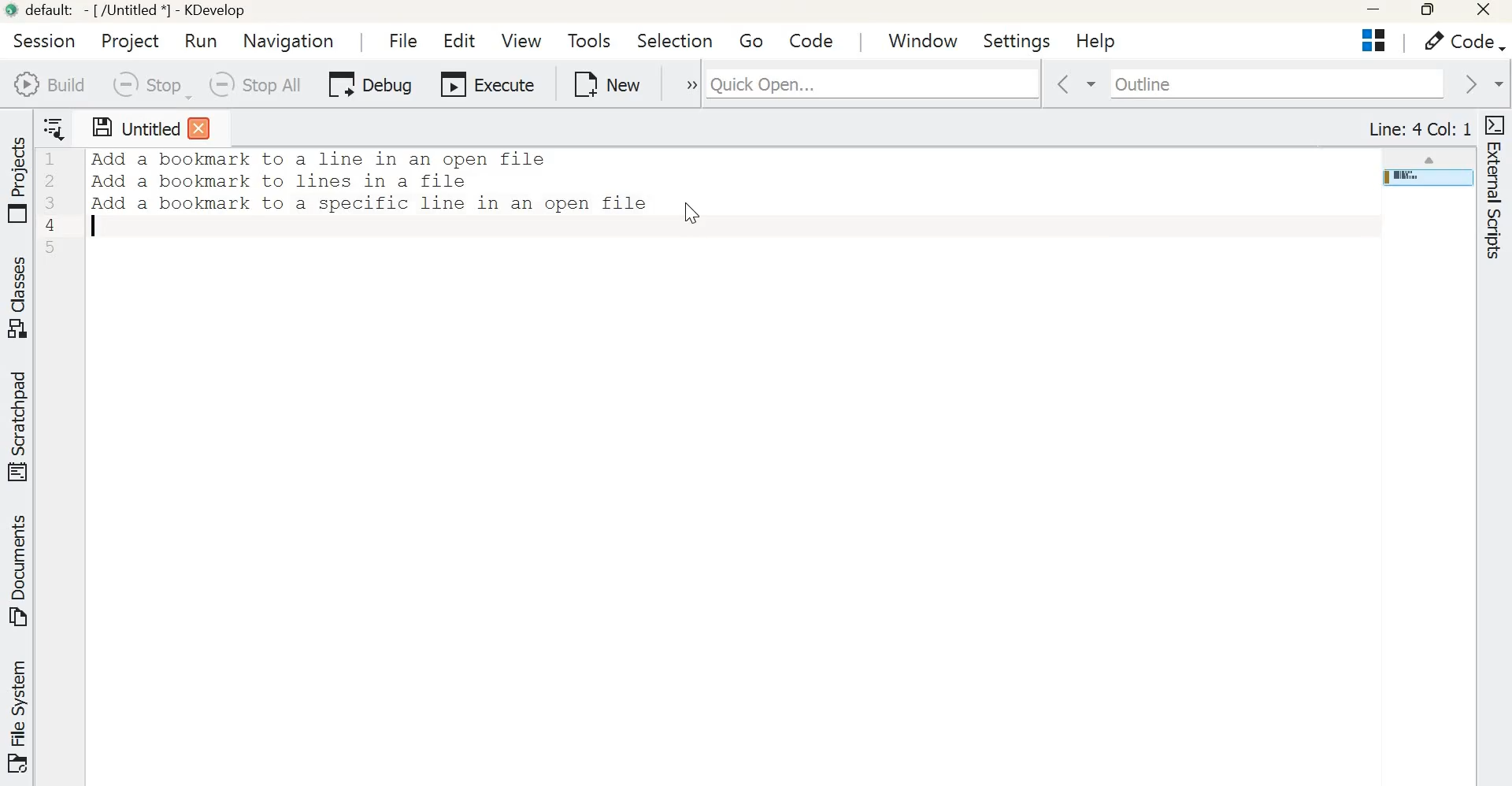 The height and width of the screenshot is (786, 1512). What do you see at coordinates (372, 182) in the screenshot?
I see `Text` at bounding box center [372, 182].